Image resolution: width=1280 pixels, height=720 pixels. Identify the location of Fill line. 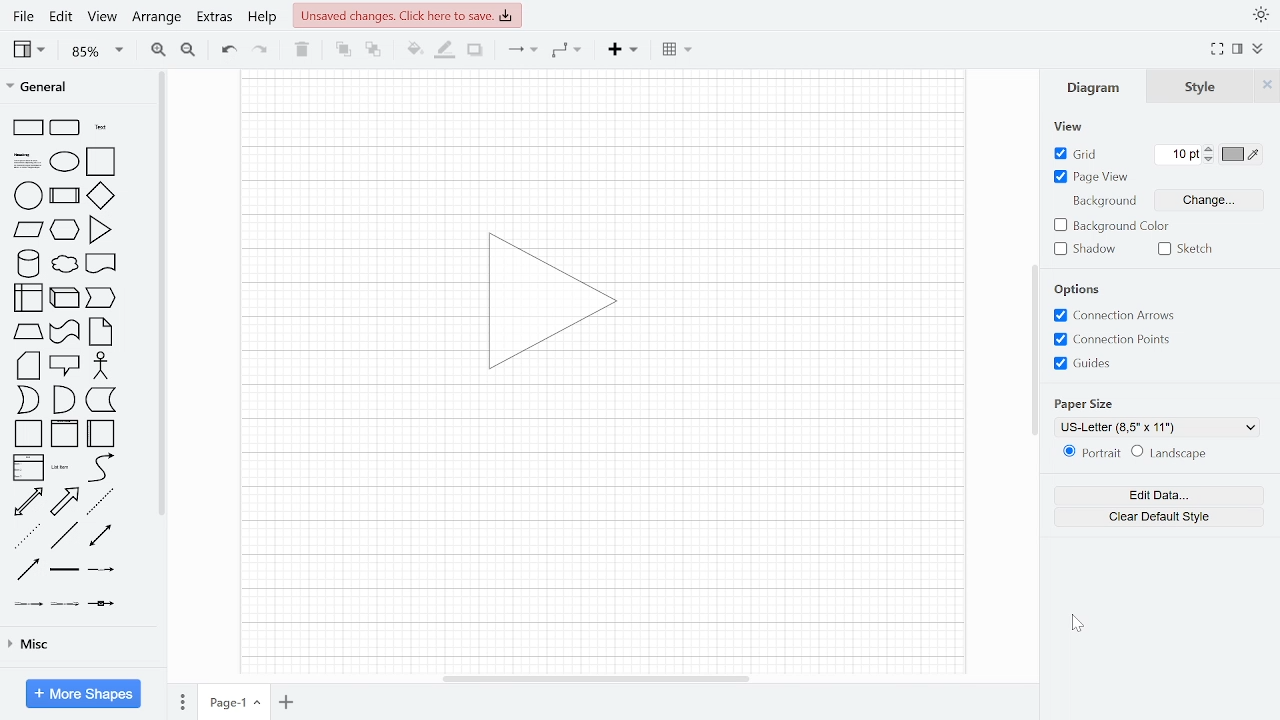
(446, 50).